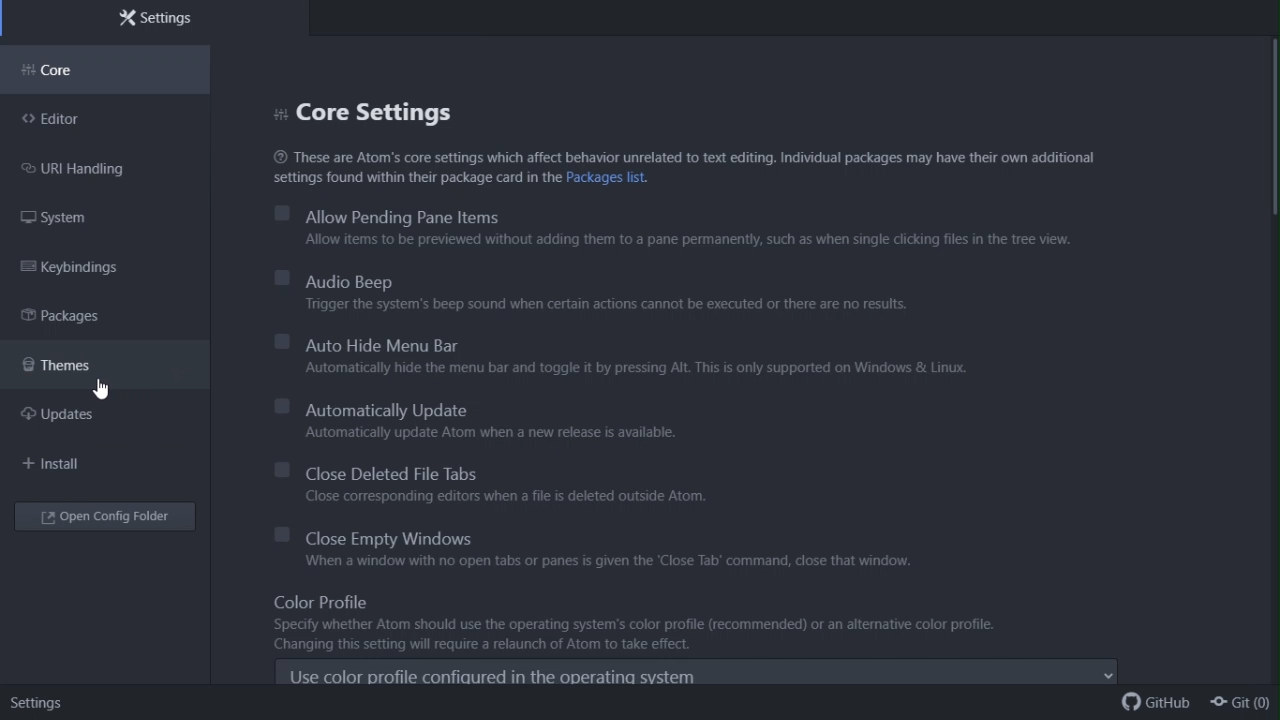 This screenshot has height=720, width=1280. Describe the element at coordinates (157, 19) in the screenshot. I see `Settings` at that location.